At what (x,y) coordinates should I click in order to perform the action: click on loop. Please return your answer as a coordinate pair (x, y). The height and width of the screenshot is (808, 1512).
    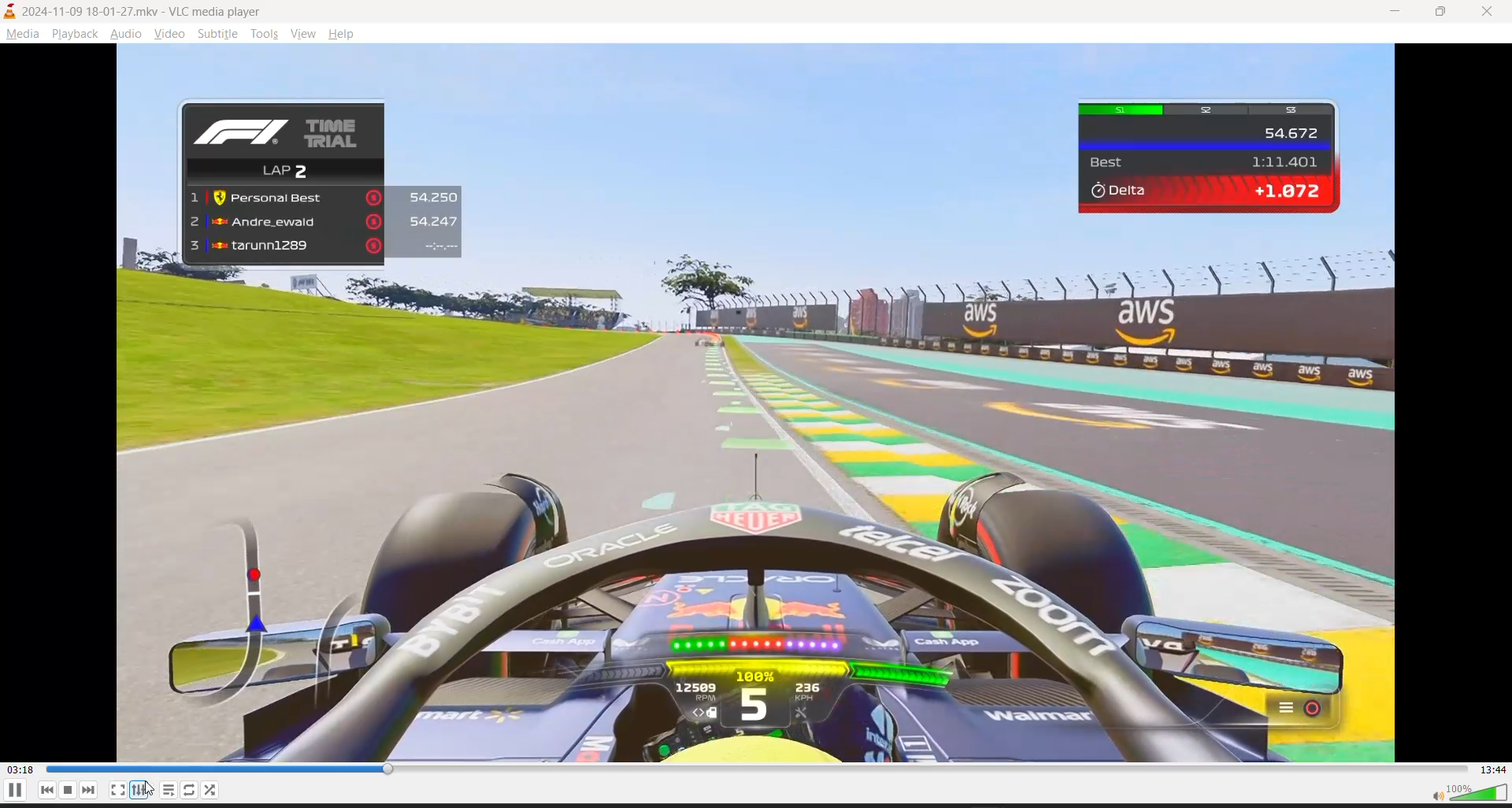
    Looking at the image, I should click on (210, 791).